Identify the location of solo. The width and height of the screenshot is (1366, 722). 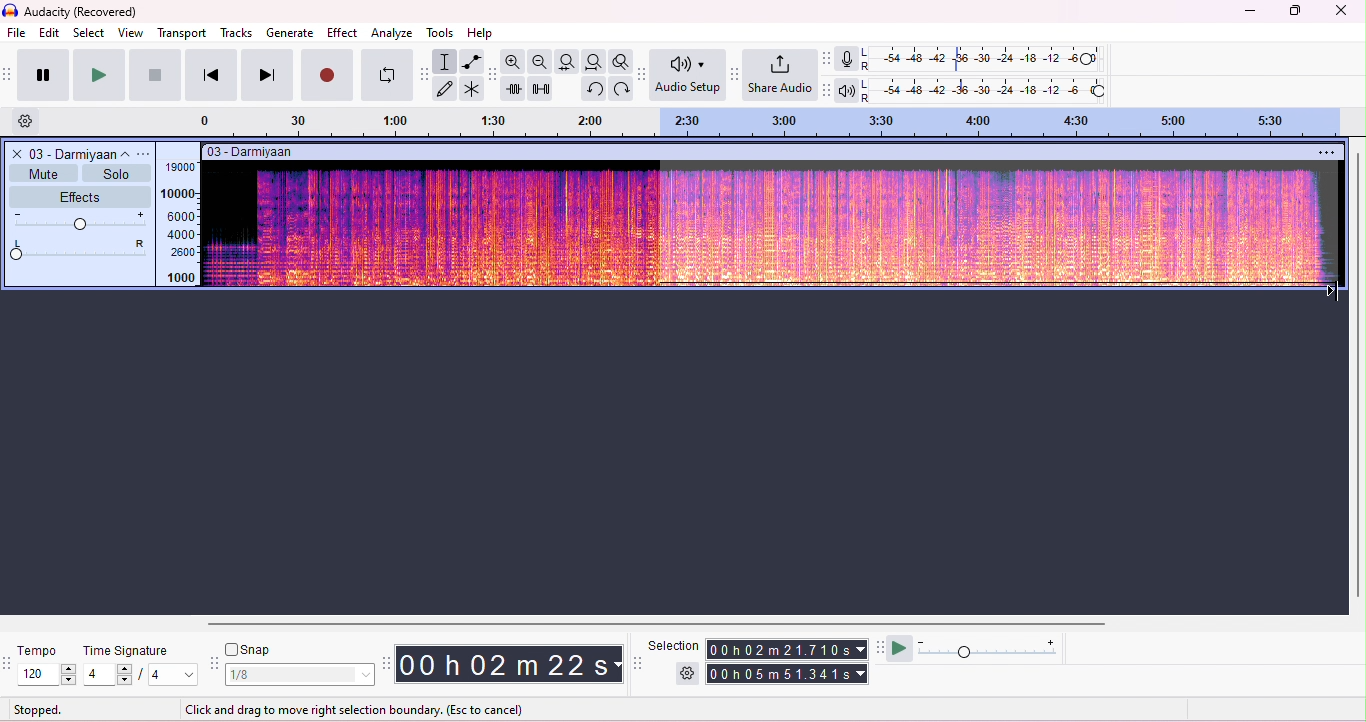
(114, 173).